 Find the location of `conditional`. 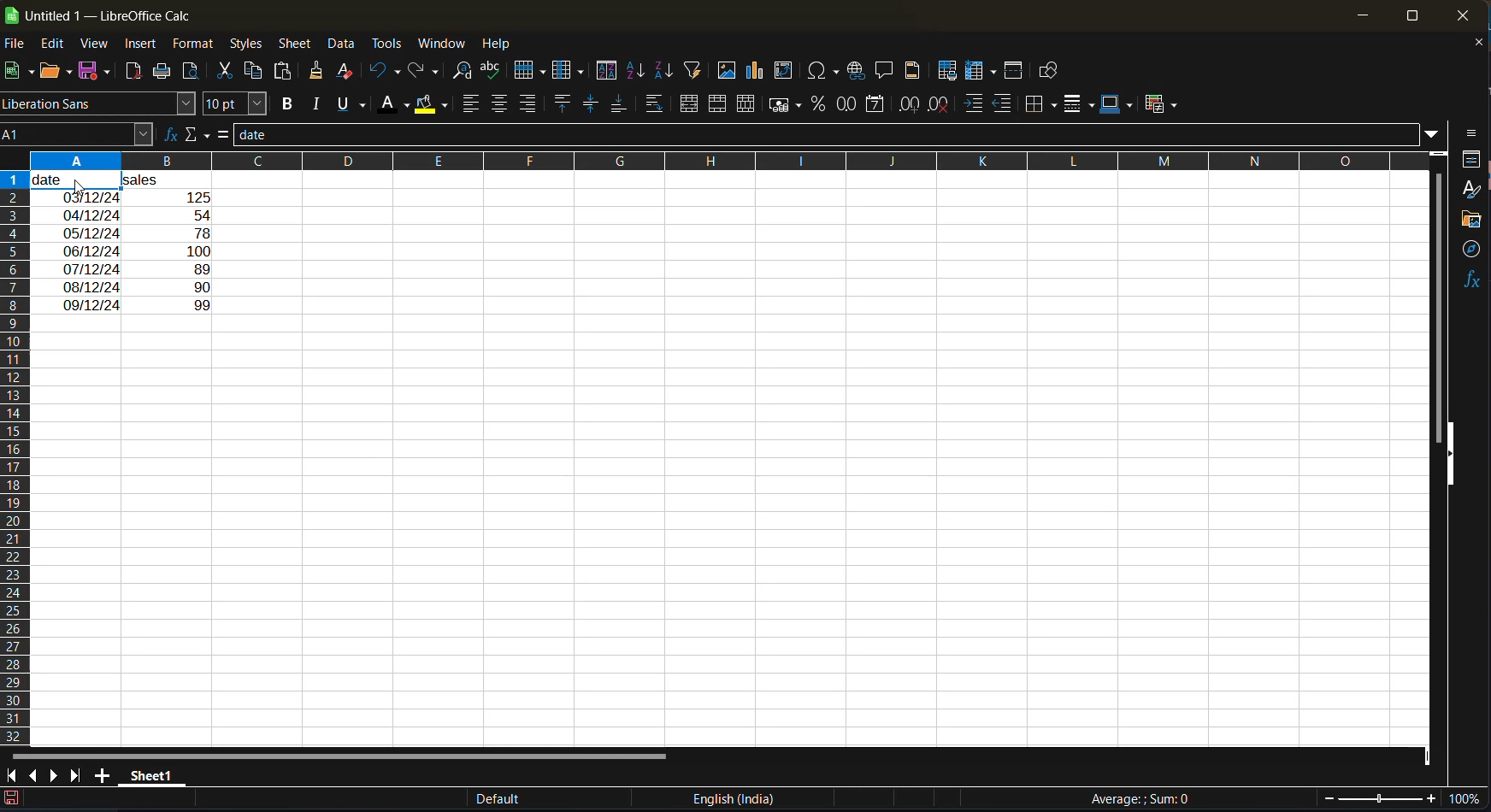

conditional is located at coordinates (1161, 105).